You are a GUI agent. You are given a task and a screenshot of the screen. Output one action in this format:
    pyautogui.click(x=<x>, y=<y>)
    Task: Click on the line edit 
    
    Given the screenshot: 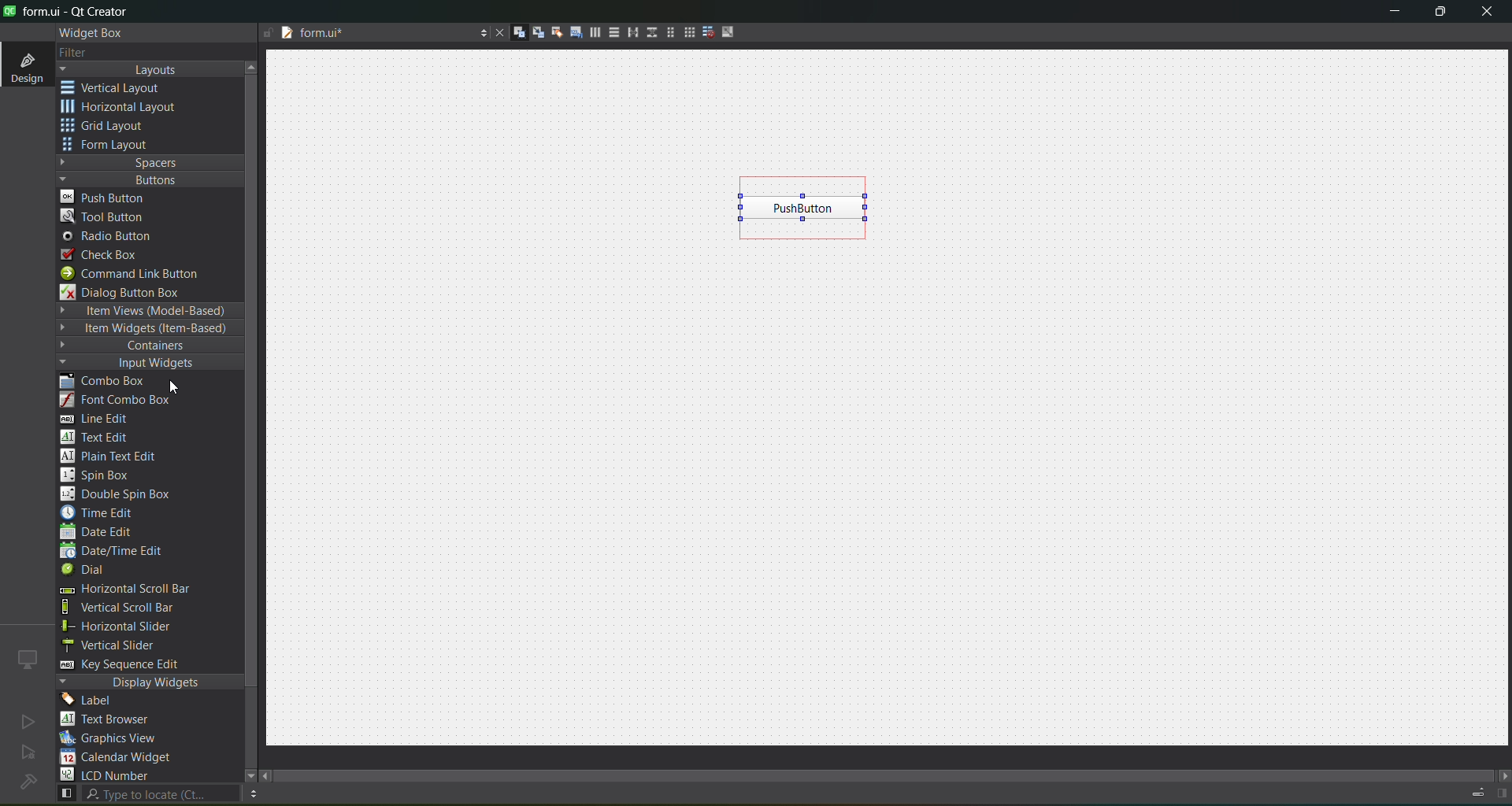 What is the action you would take?
    pyautogui.click(x=102, y=419)
    